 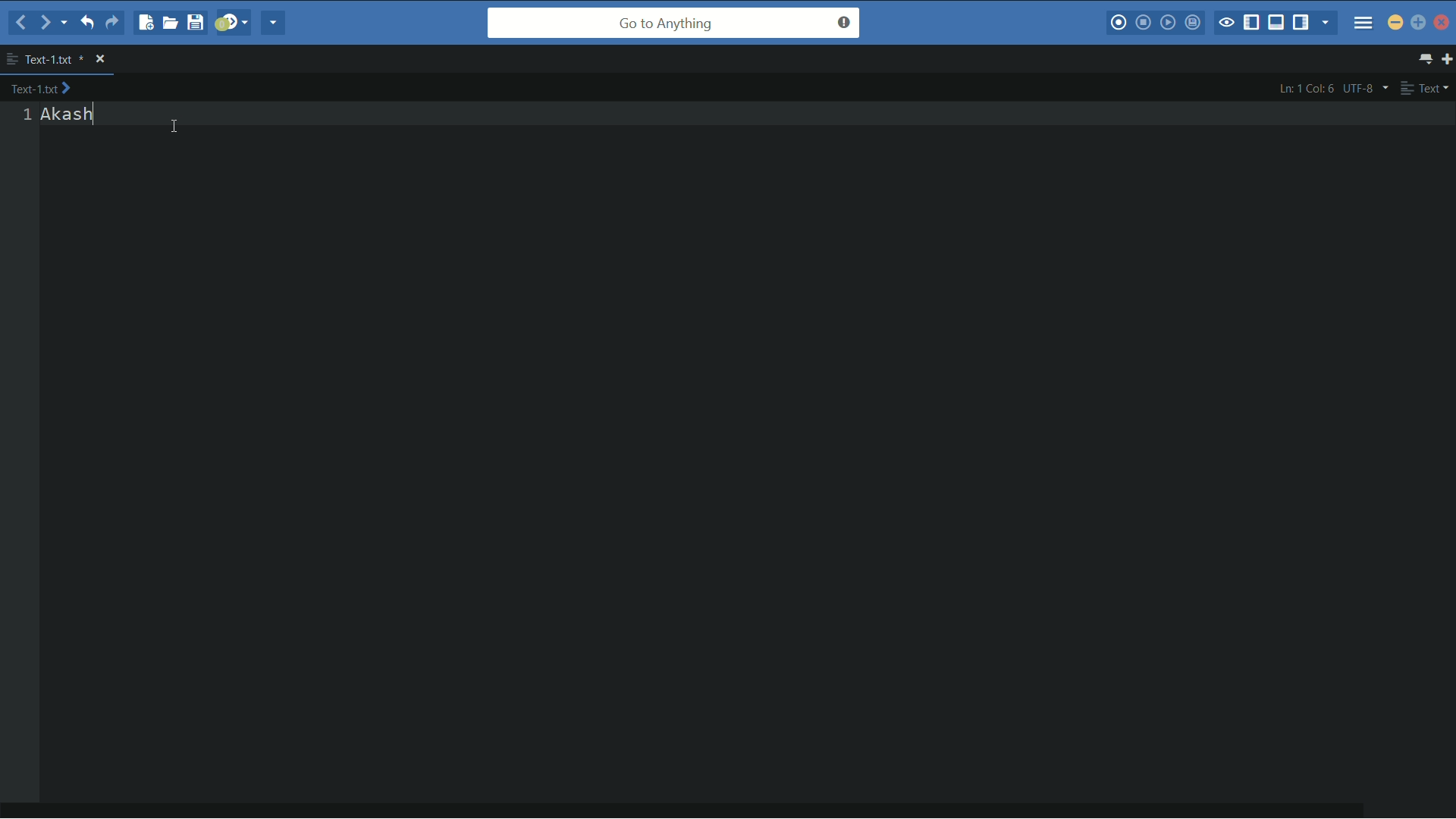 What do you see at coordinates (100, 58) in the screenshot?
I see `close` at bounding box center [100, 58].